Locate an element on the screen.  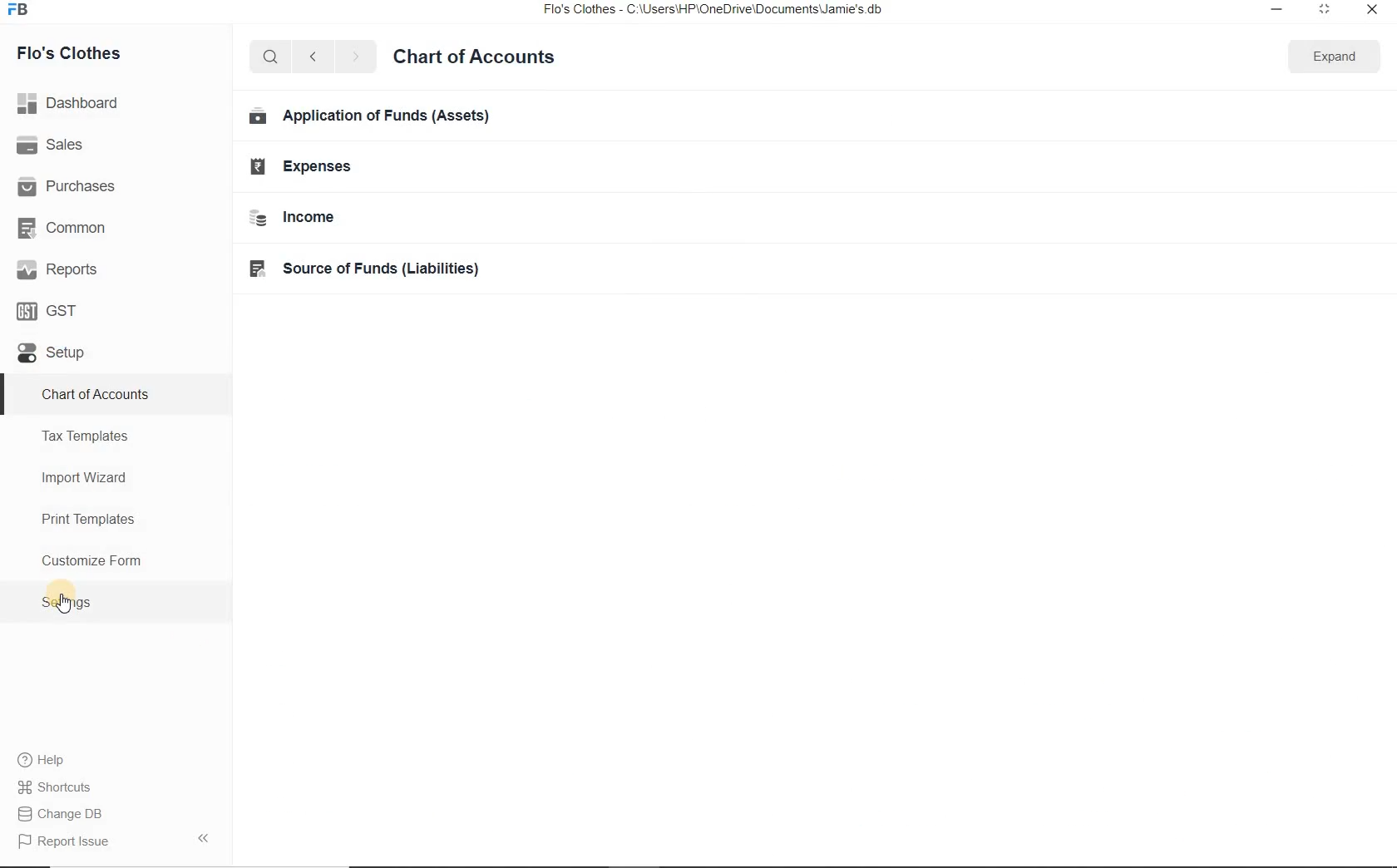
Source of Funds (Liabilities) is located at coordinates (365, 266).